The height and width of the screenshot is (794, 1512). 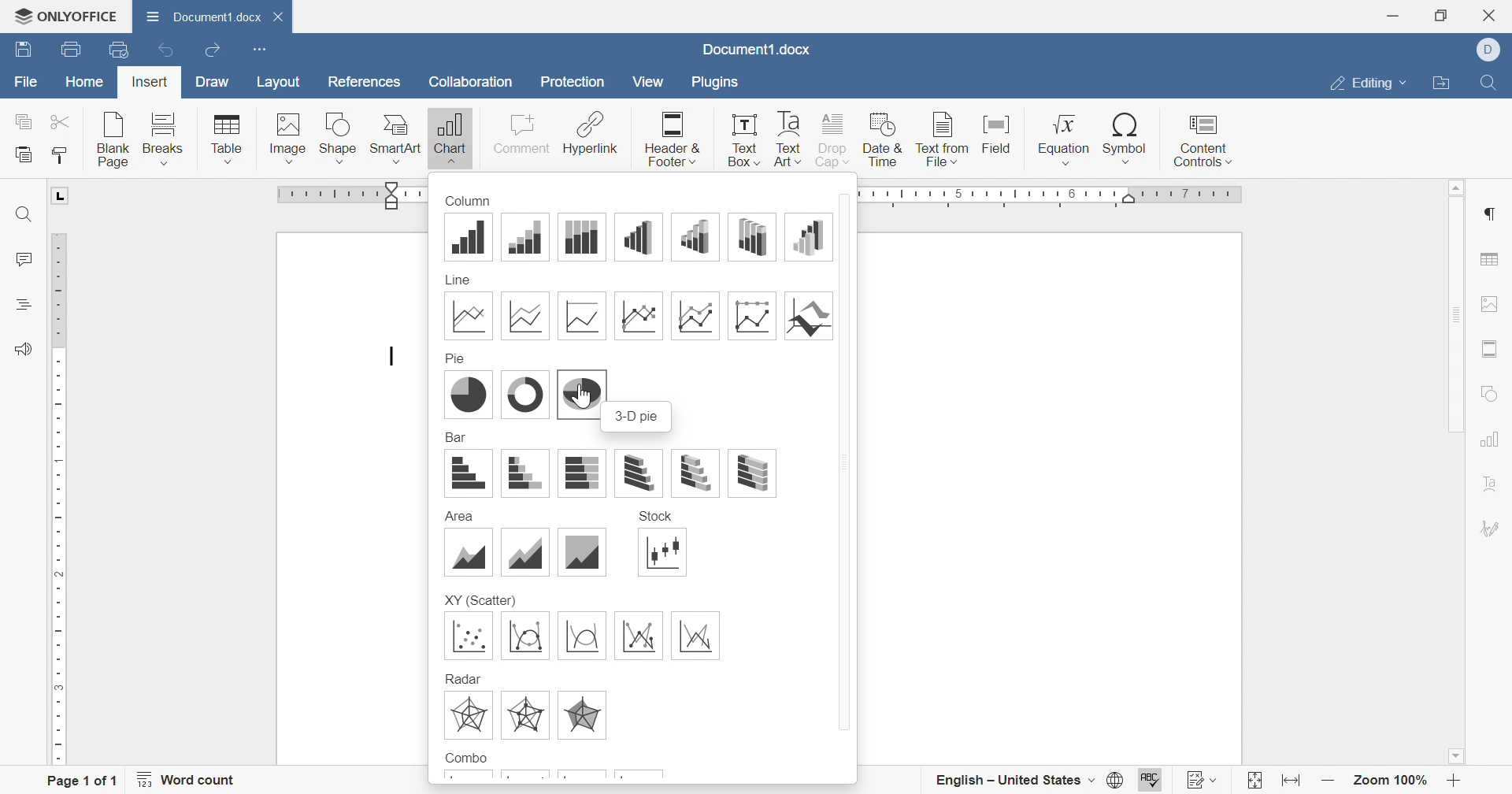 I want to click on Spell Checking, so click(x=1152, y=779).